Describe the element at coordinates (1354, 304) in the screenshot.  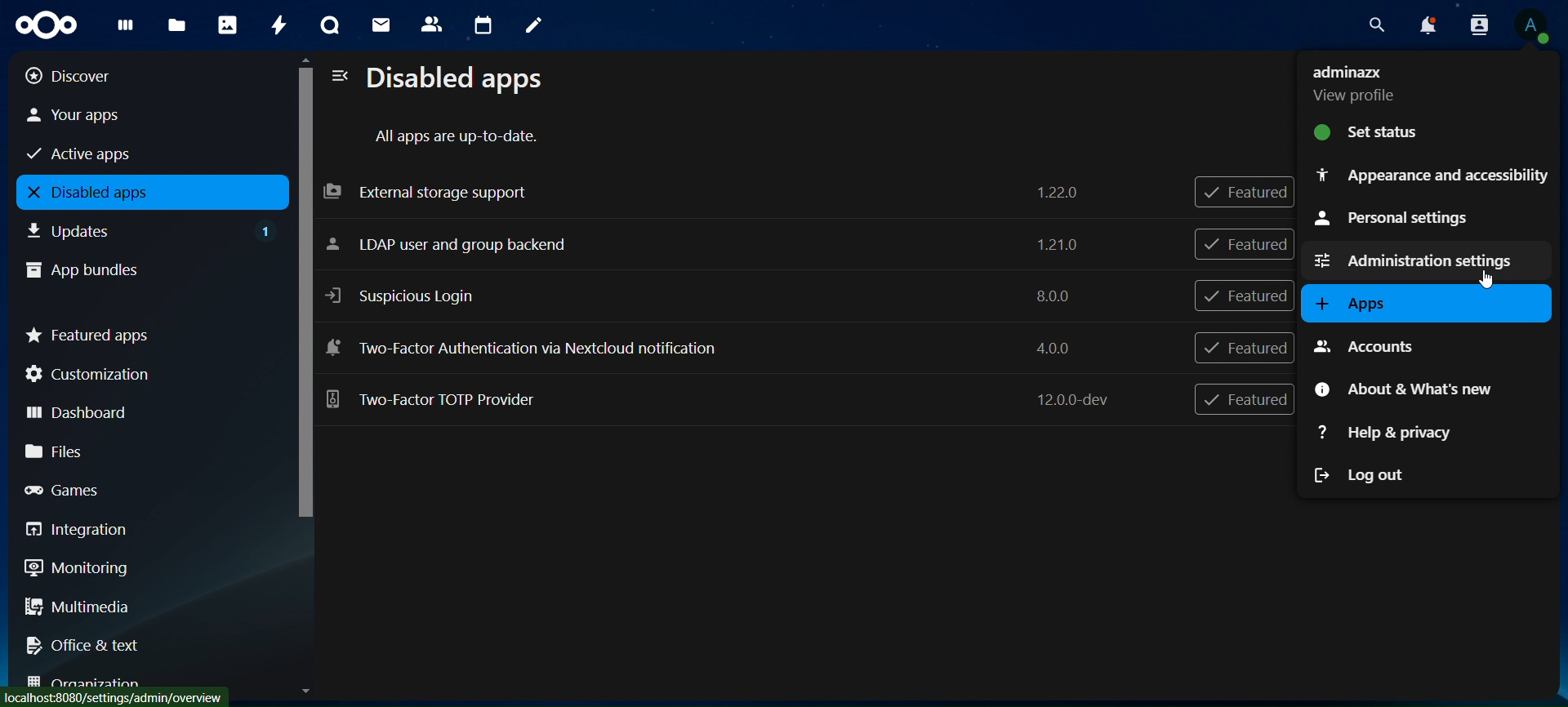
I see `apps` at that location.